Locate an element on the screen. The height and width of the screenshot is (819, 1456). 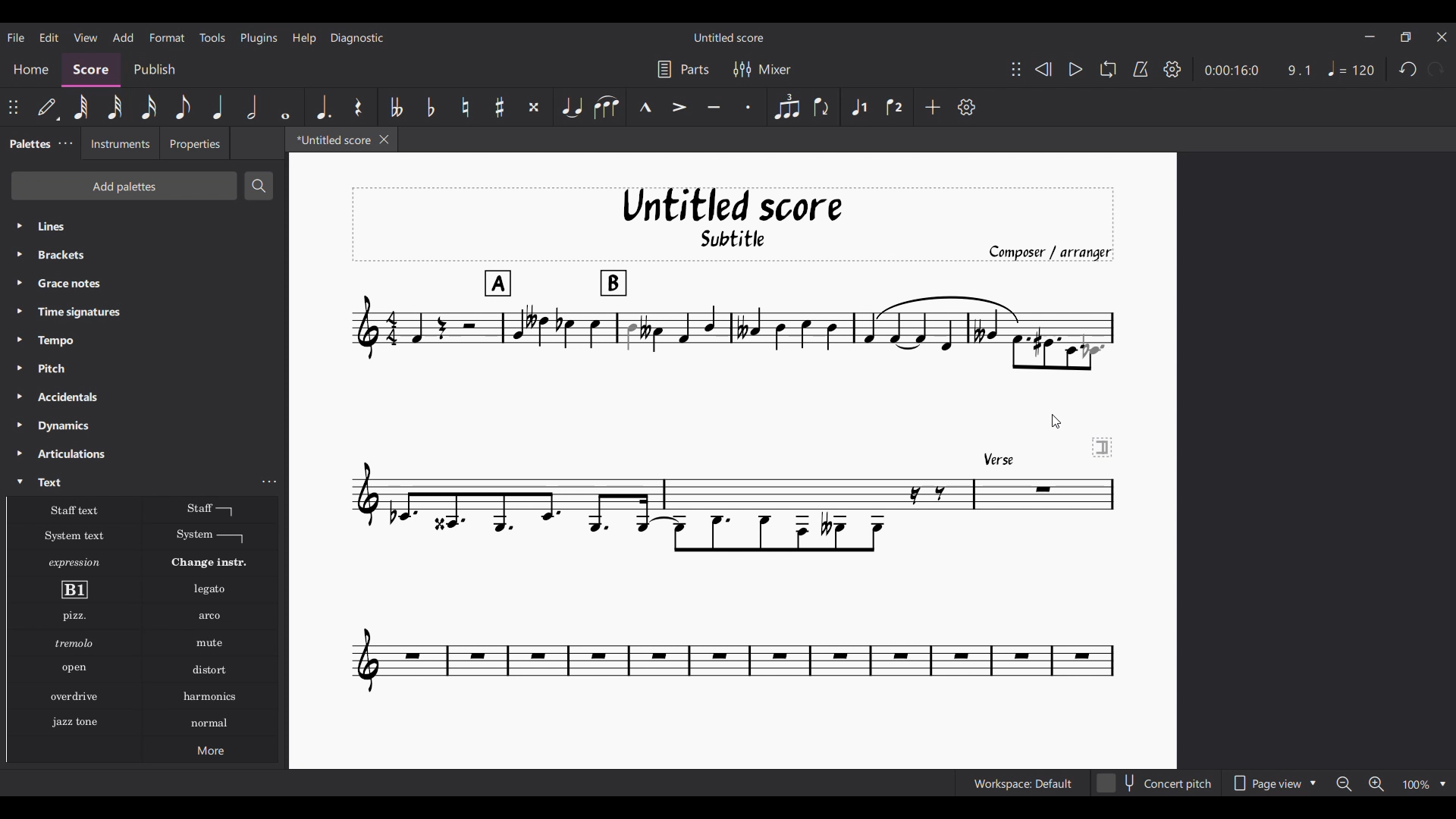
Grace notes is located at coordinates (144, 283).